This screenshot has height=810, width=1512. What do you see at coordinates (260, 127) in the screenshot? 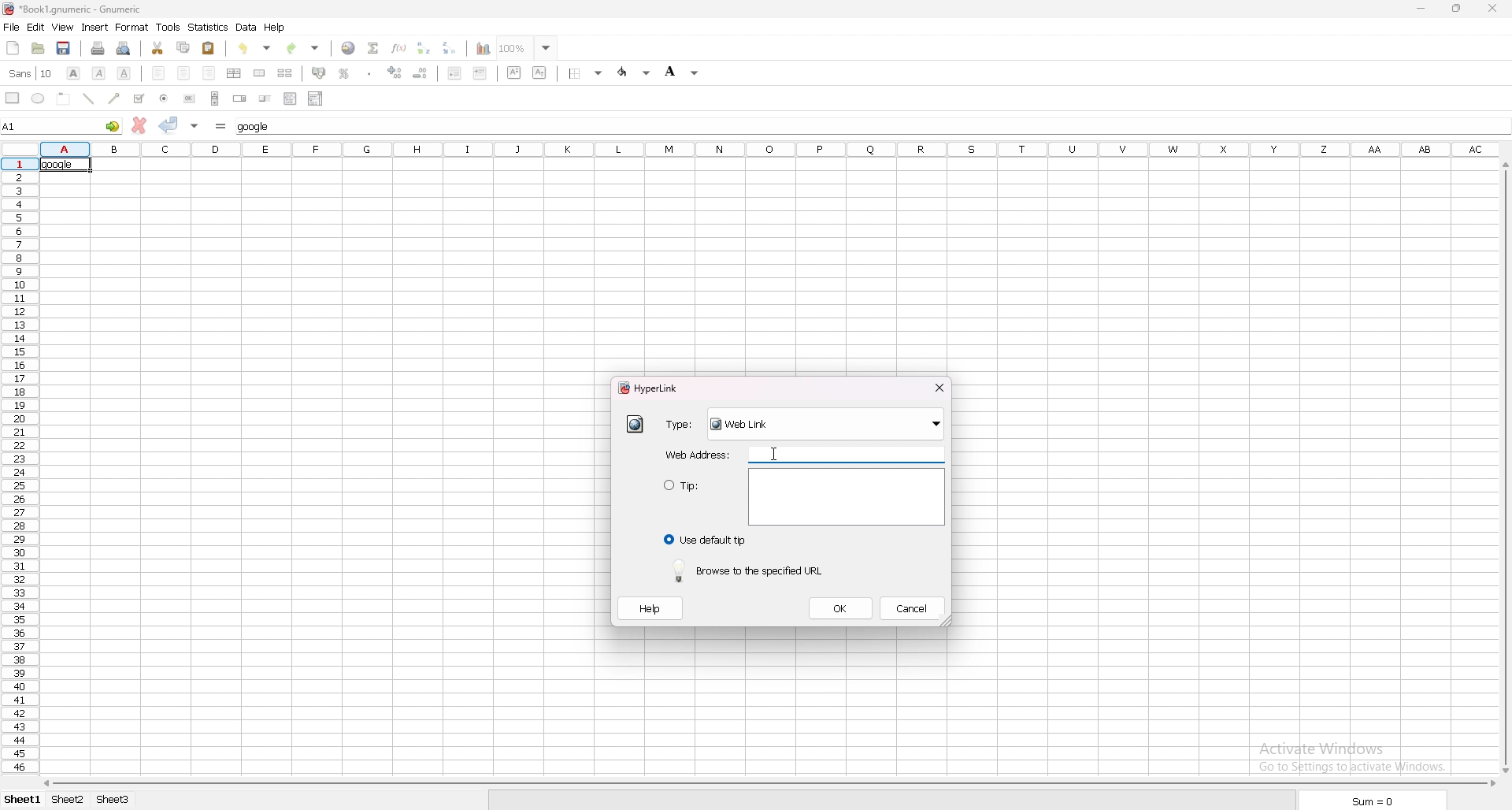
I see `cell input` at bounding box center [260, 127].